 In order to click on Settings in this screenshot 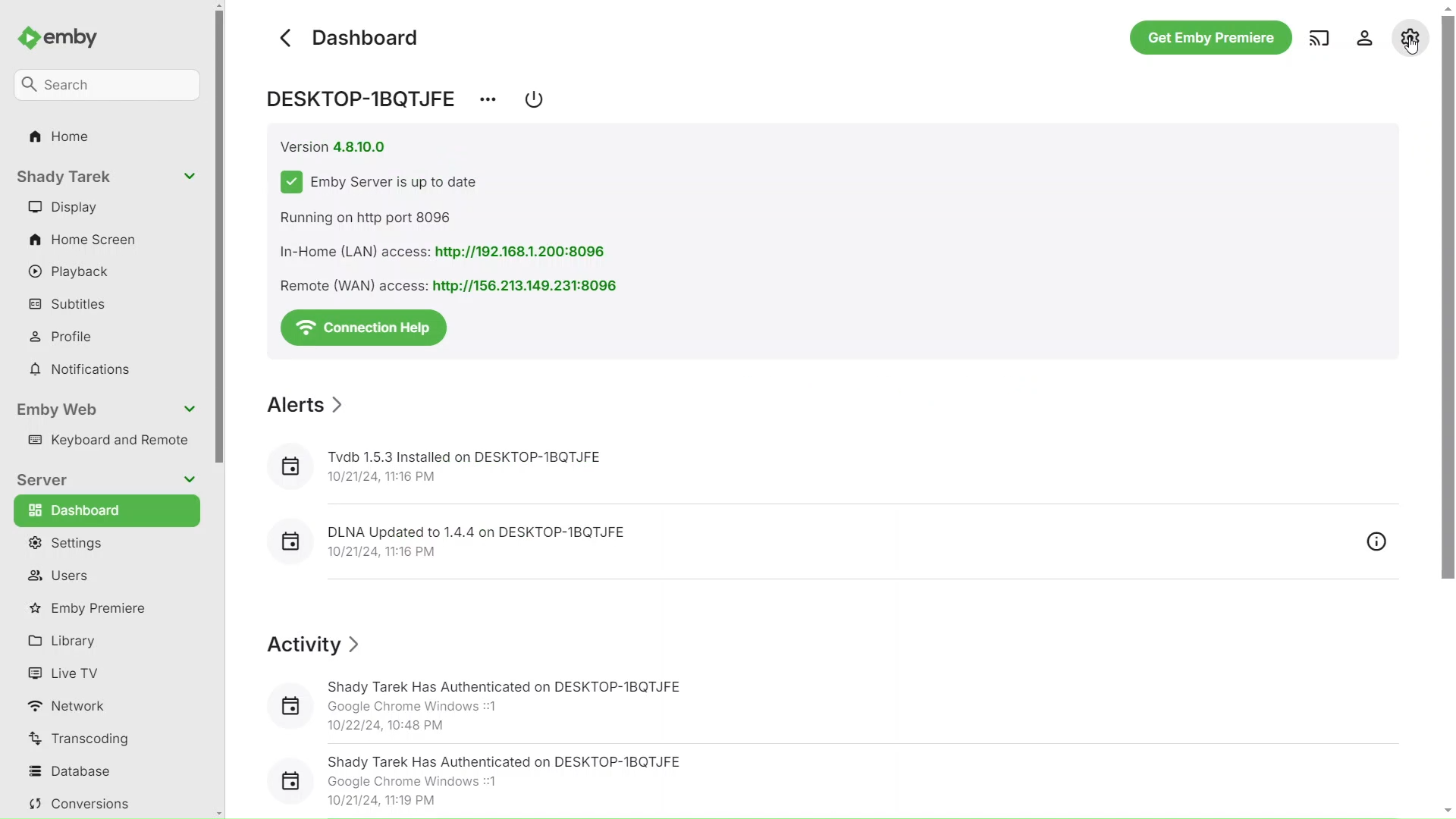, I will do `click(75, 542)`.